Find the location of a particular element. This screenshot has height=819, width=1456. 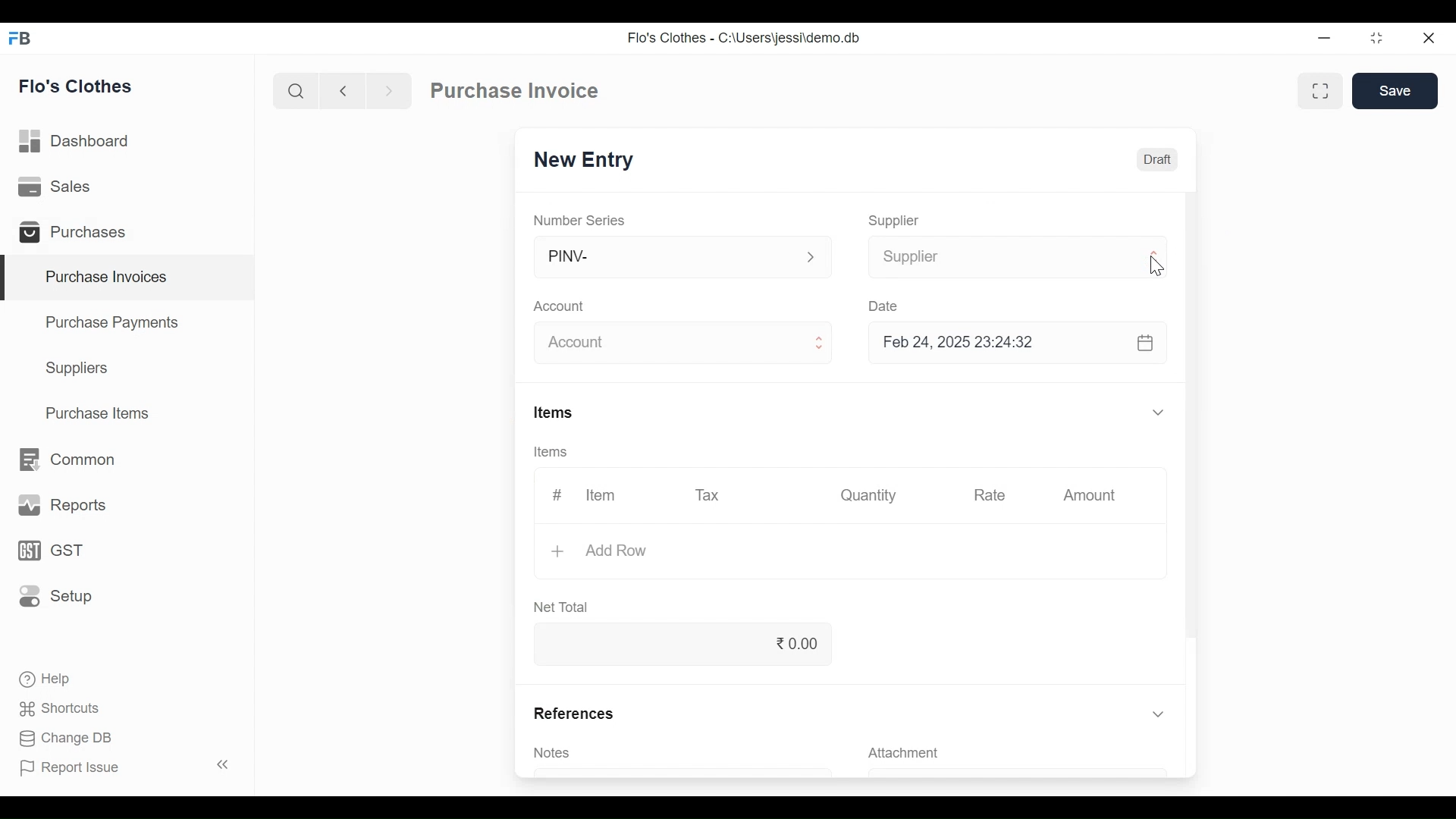

Supplier is located at coordinates (897, 221).